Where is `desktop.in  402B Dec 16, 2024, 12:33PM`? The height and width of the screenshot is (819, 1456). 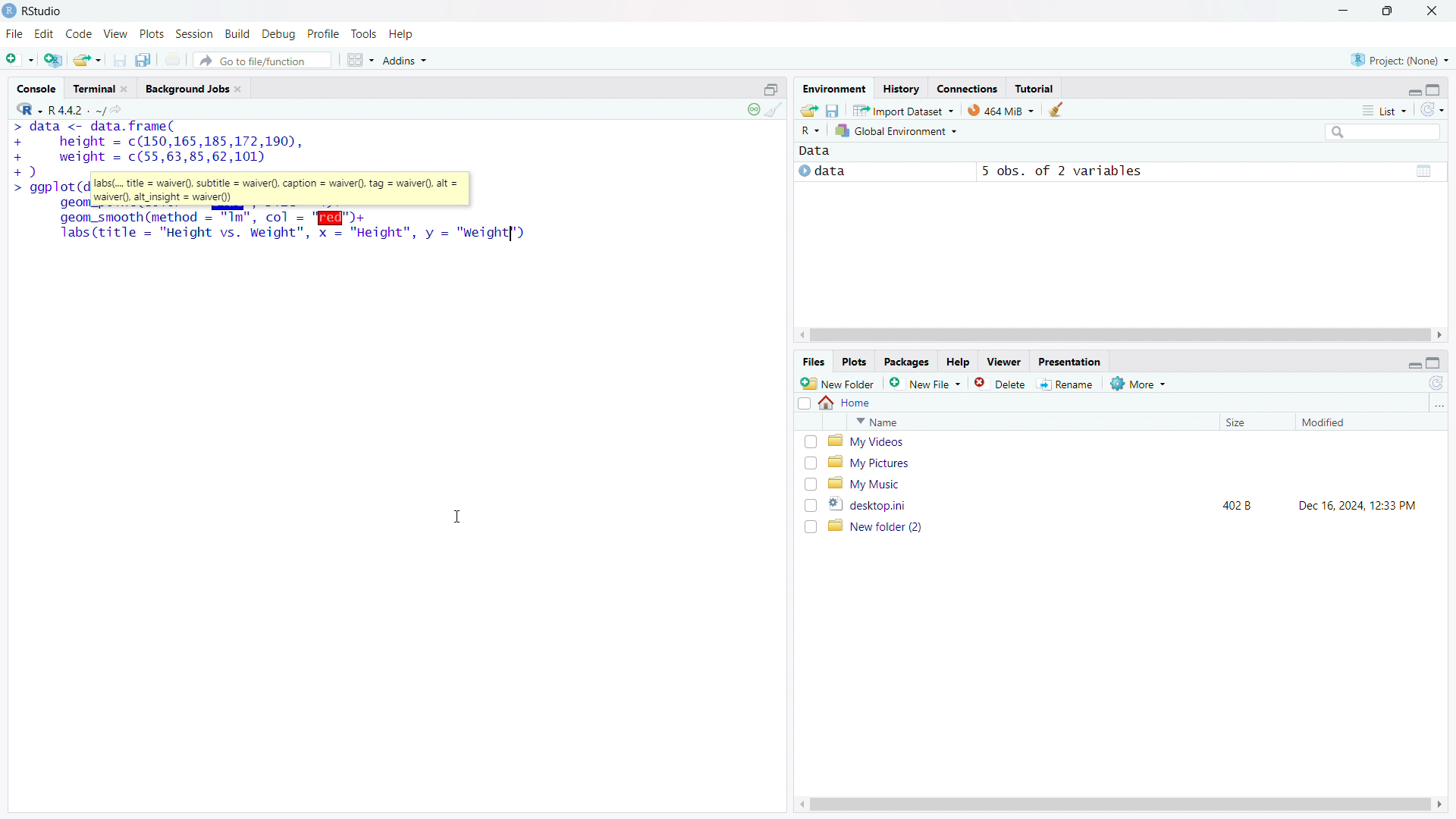 desktop.in  402B Dec 16, 2024, 12:33PM is located at coordinates (1131, 504).